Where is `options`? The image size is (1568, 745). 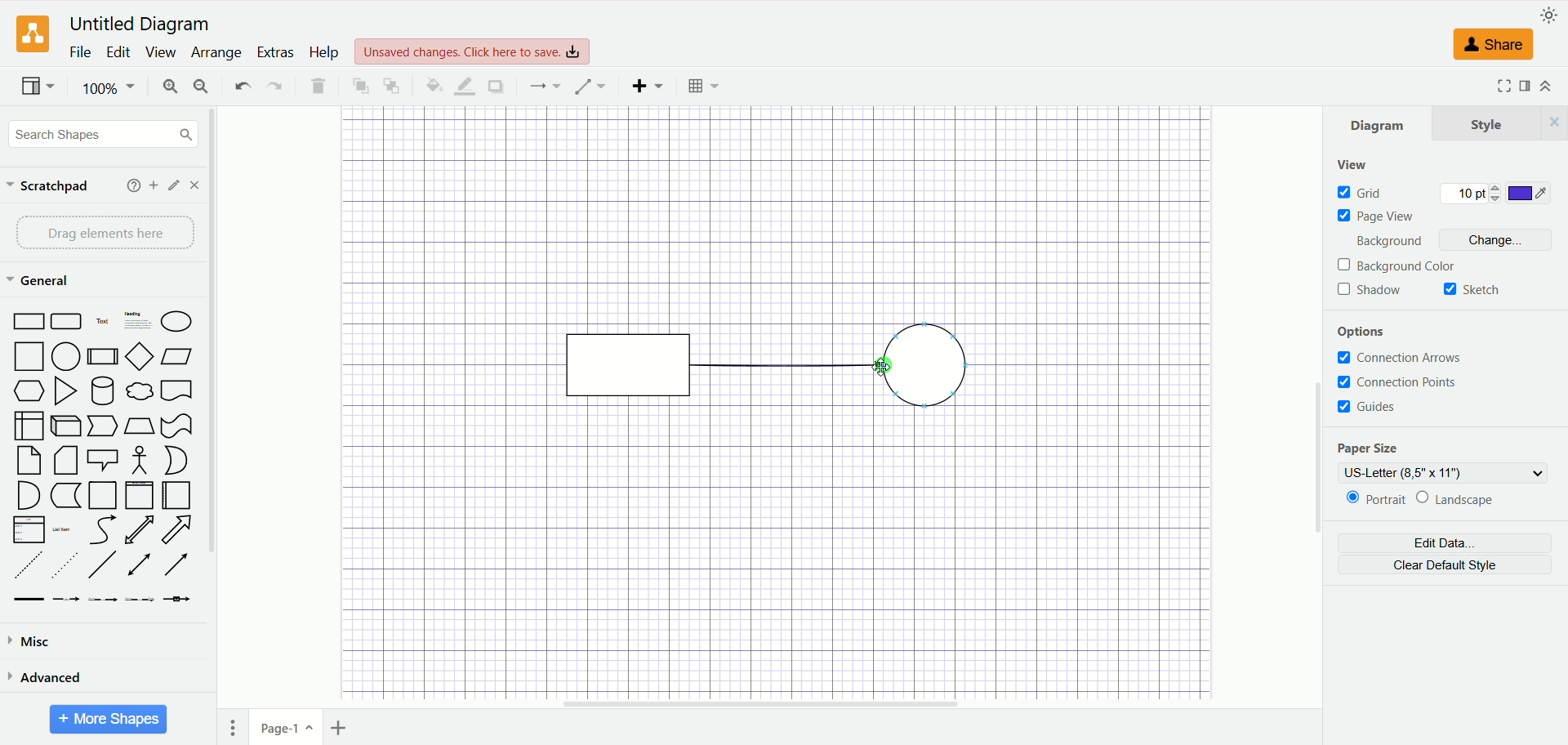 options is located at coordinates (1366, 333).